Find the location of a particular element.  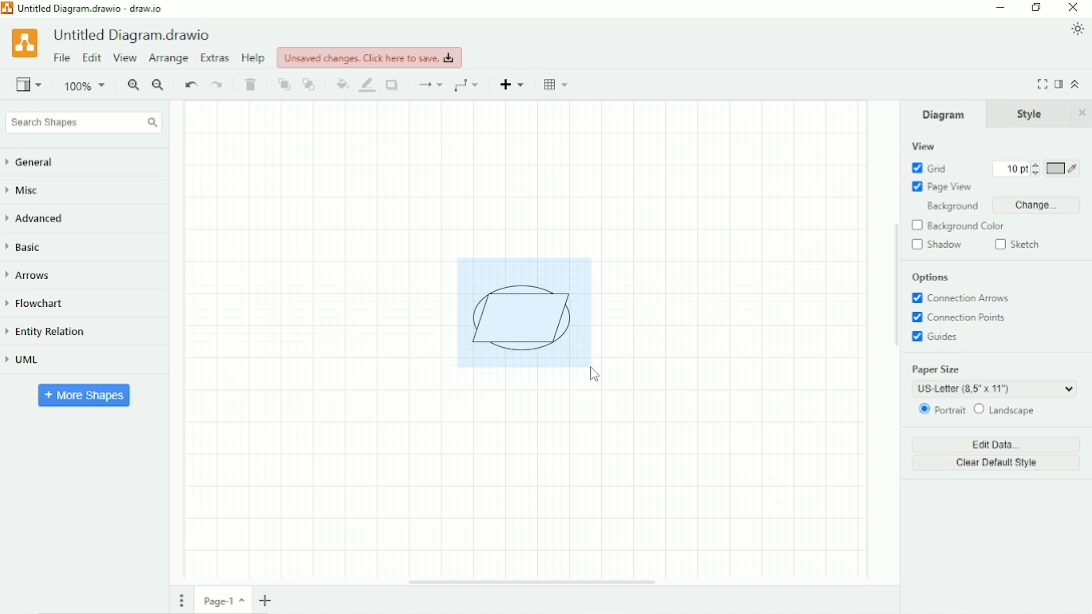

Vertical scrollbar is located at coordinates (894, 286).